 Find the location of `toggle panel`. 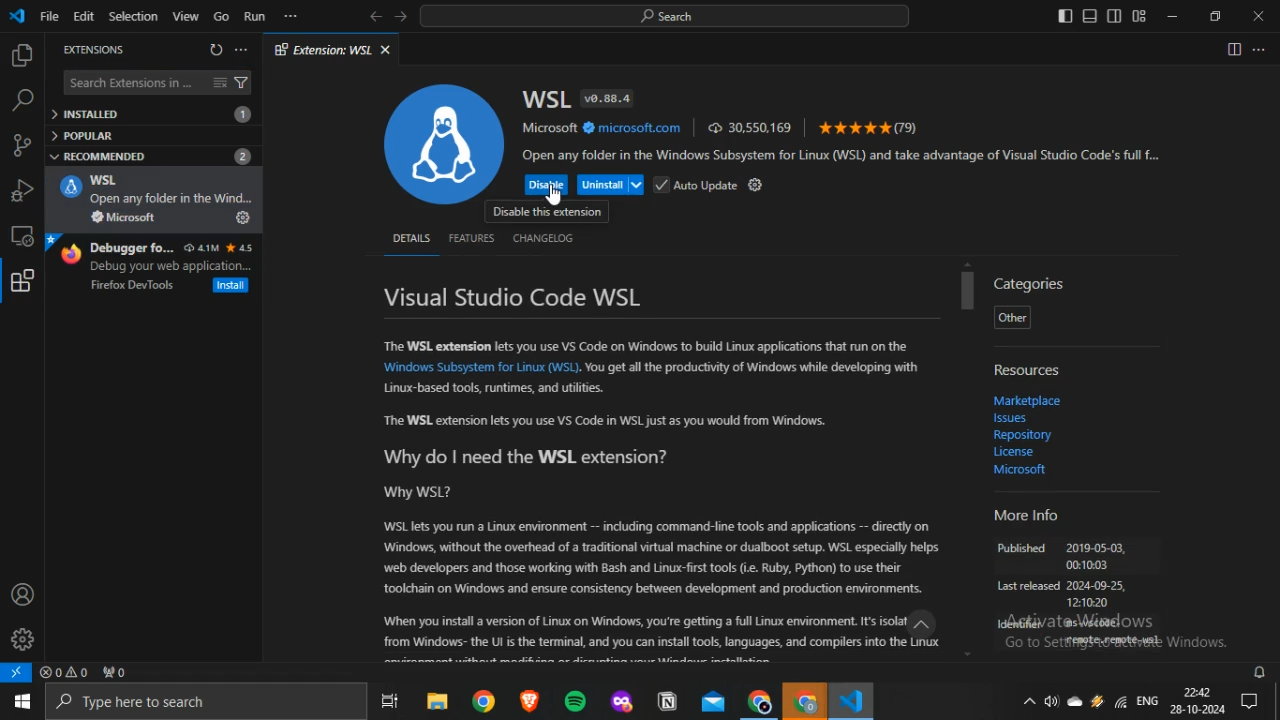

toggle panel is located at coordinates (1089, 15).